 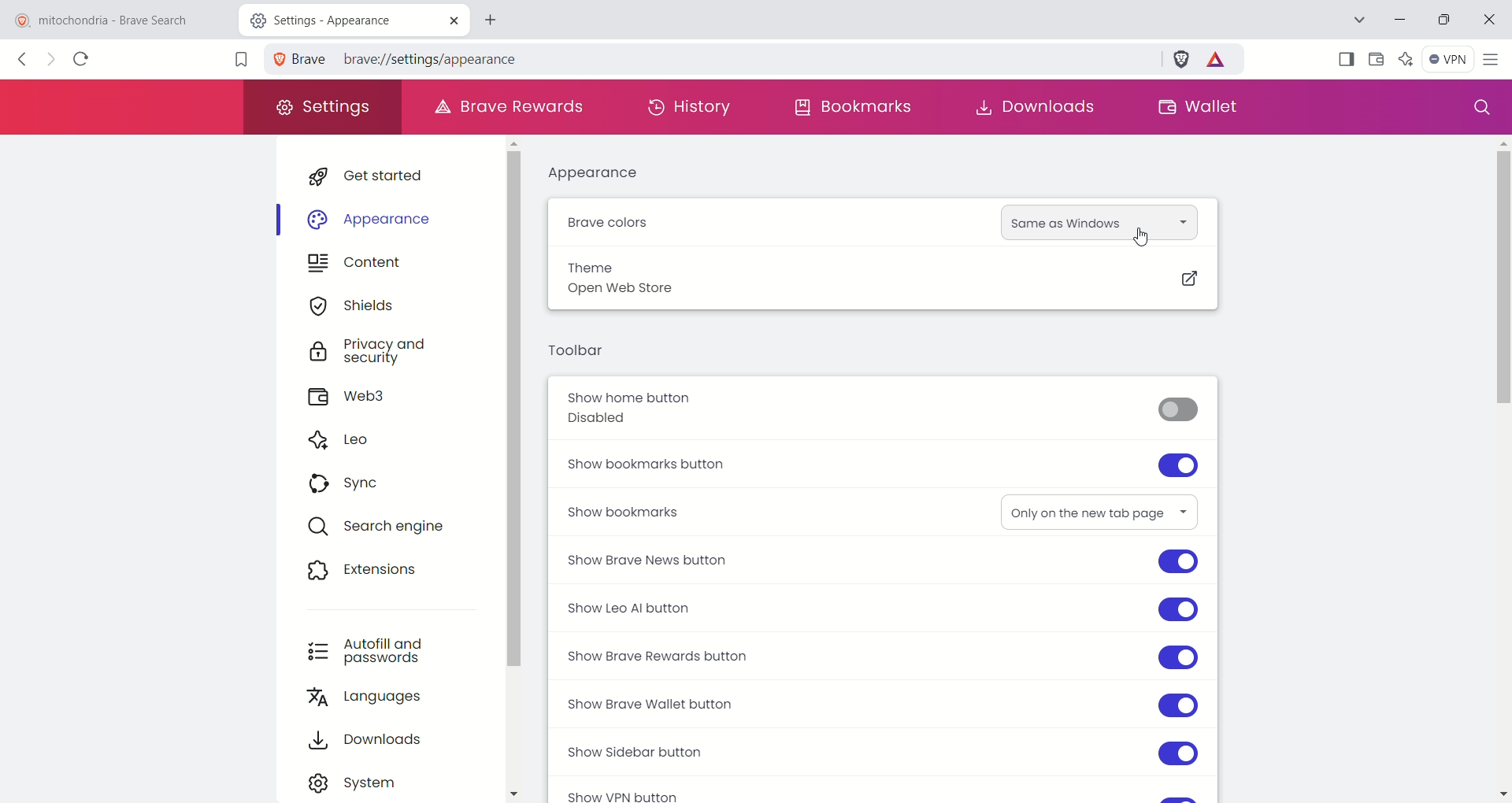 What do you see at coordinates (573, 350) in the screenshot?
I see `toolbar` at bounding box center [573, 350].